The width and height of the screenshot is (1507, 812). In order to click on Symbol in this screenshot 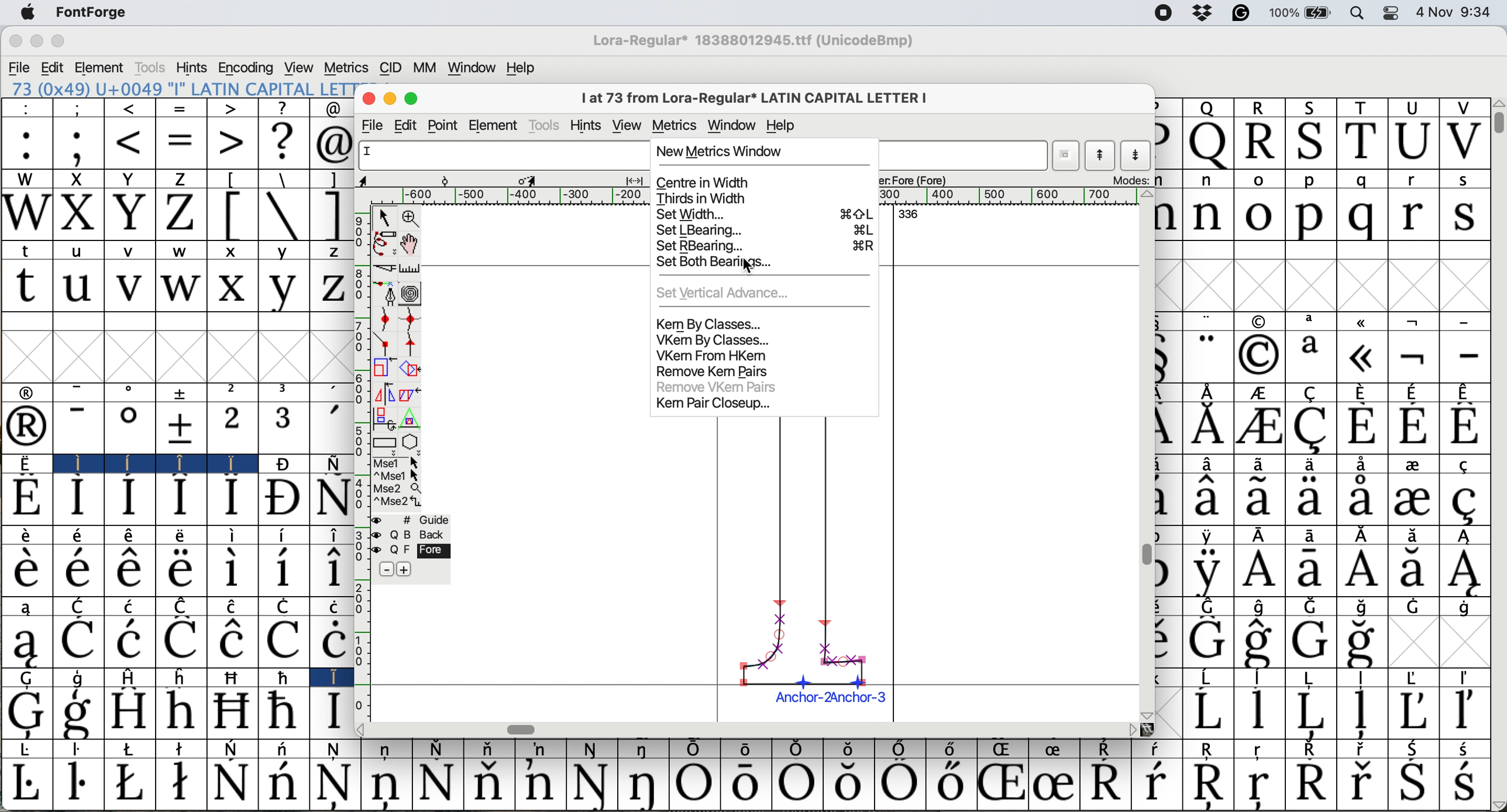, I will do `click(1365, 678)`.